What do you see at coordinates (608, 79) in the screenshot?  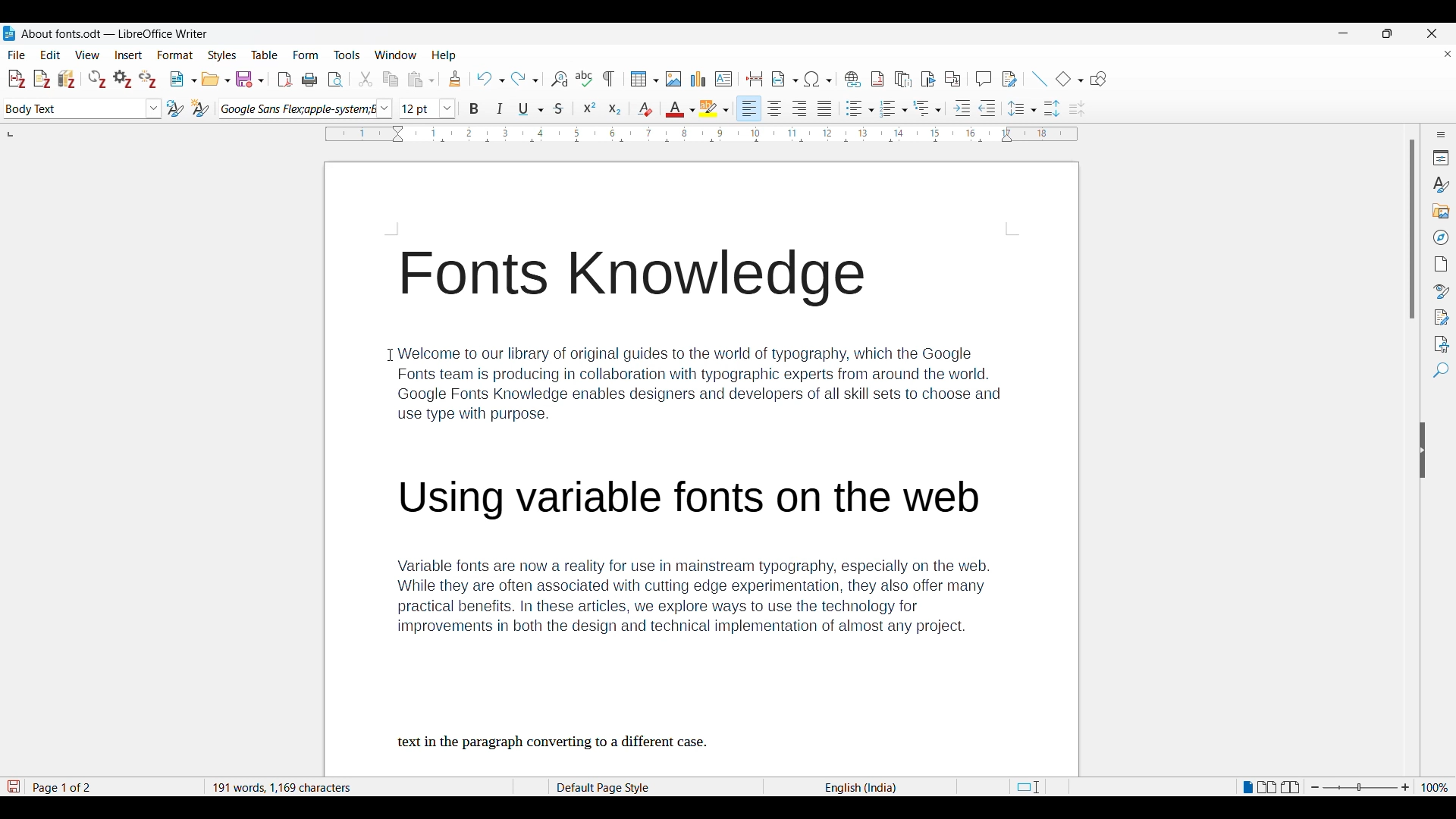 I see `Toggle formatting marks` at bounding box center [608, 79].